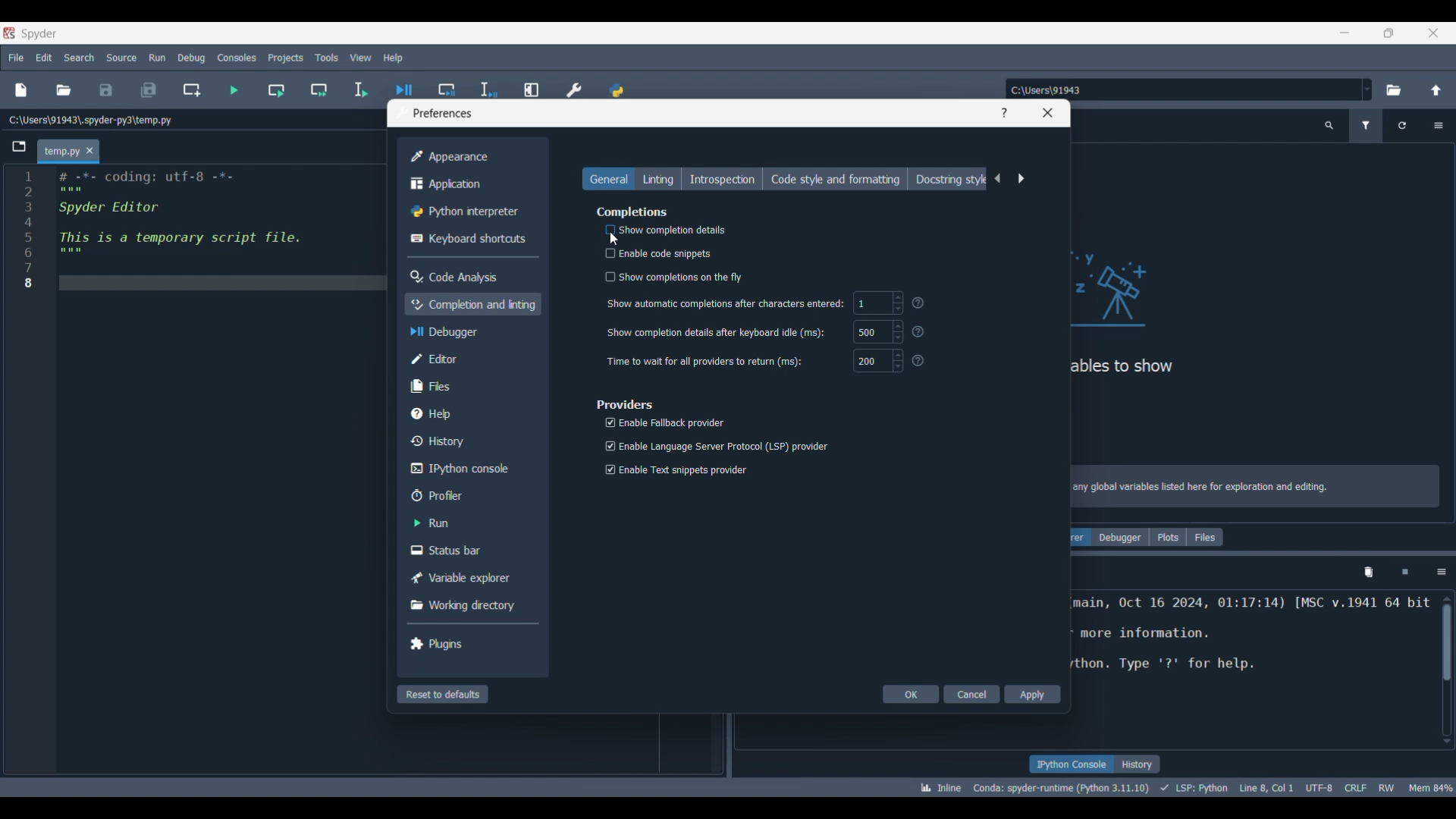 The width and height of the screenshot is (1456, 819). I want to click on , so click(922, 304).